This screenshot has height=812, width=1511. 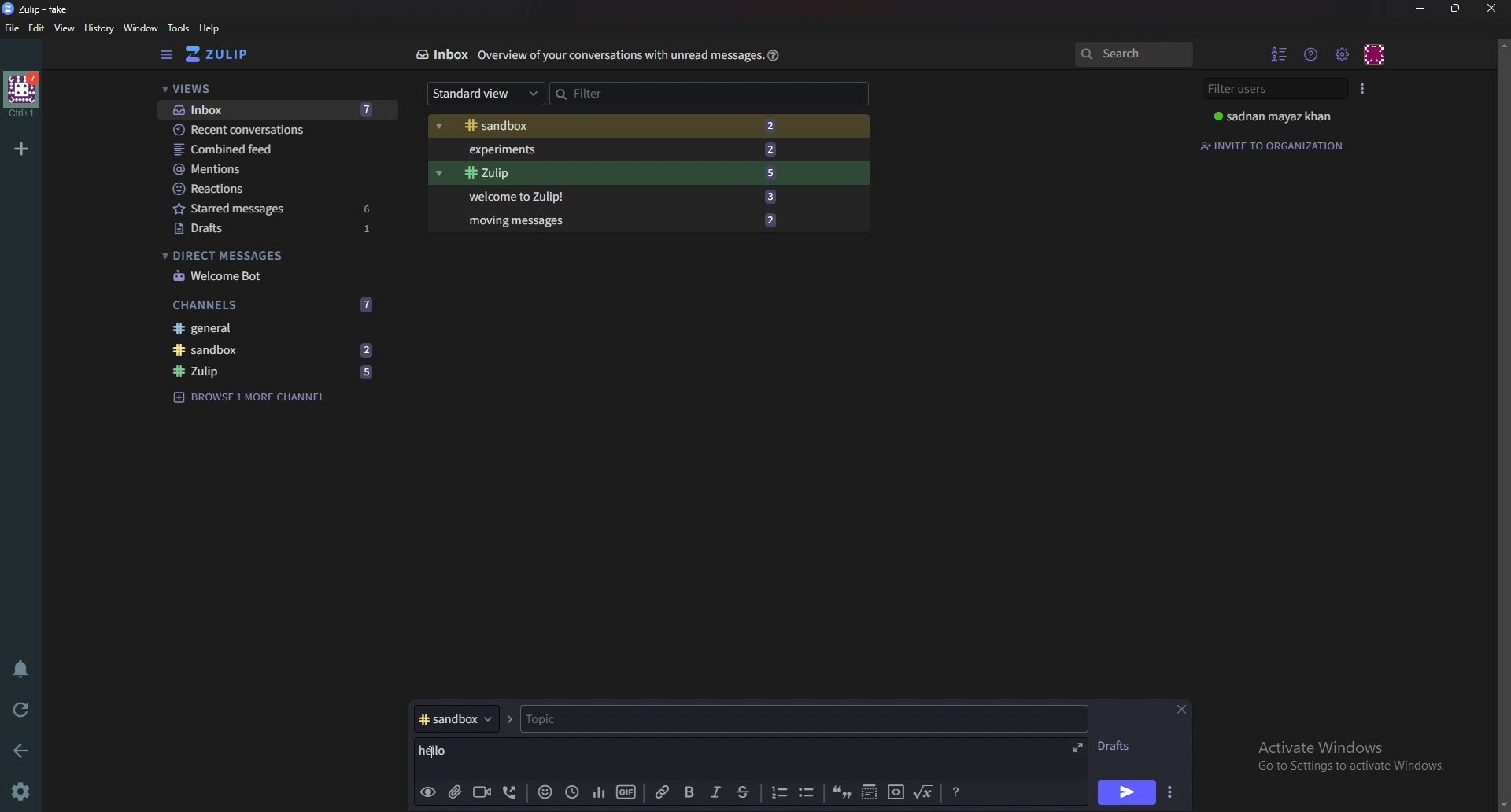 I want to click on quote, so click(x=840, y=792).